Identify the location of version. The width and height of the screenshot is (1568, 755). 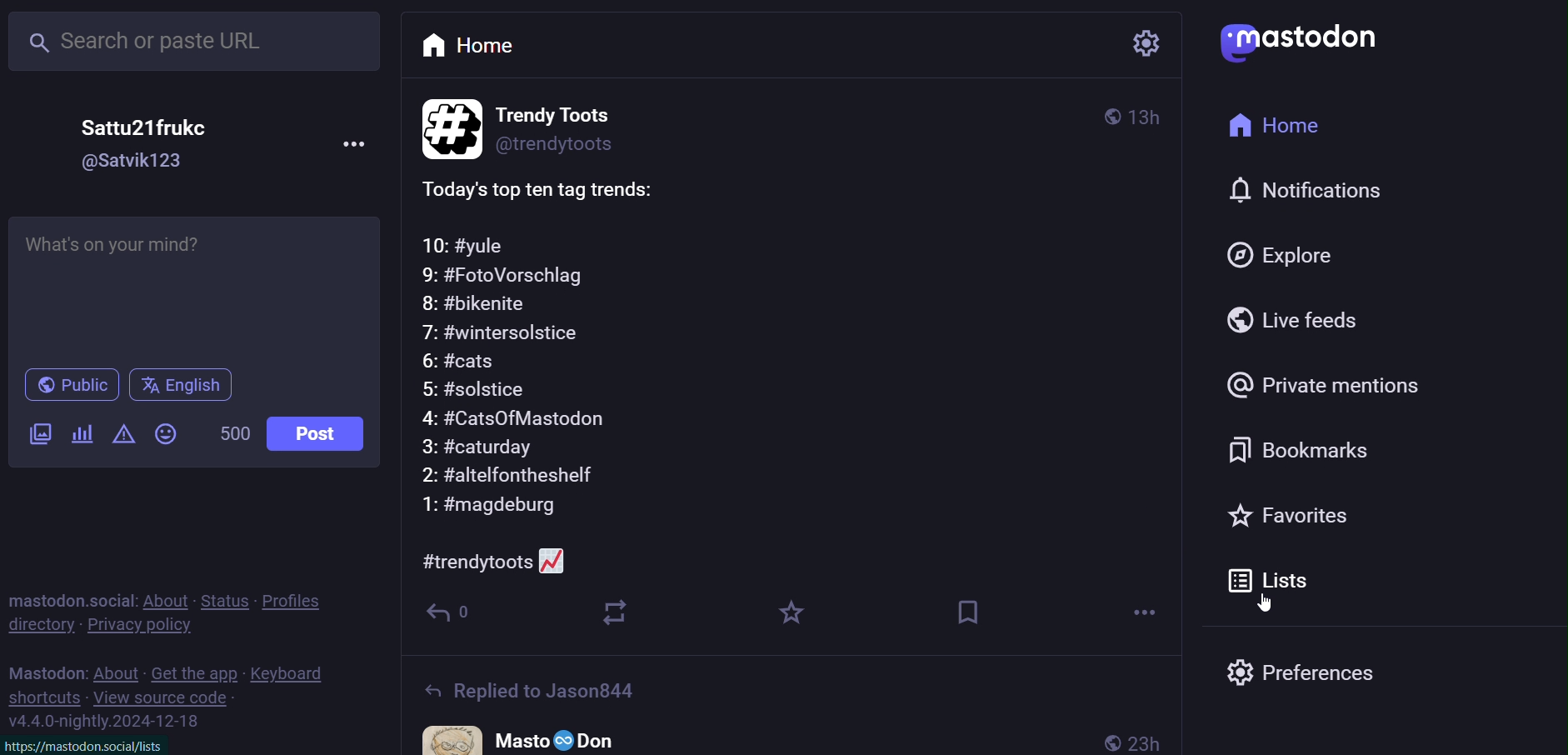
(109, 720).